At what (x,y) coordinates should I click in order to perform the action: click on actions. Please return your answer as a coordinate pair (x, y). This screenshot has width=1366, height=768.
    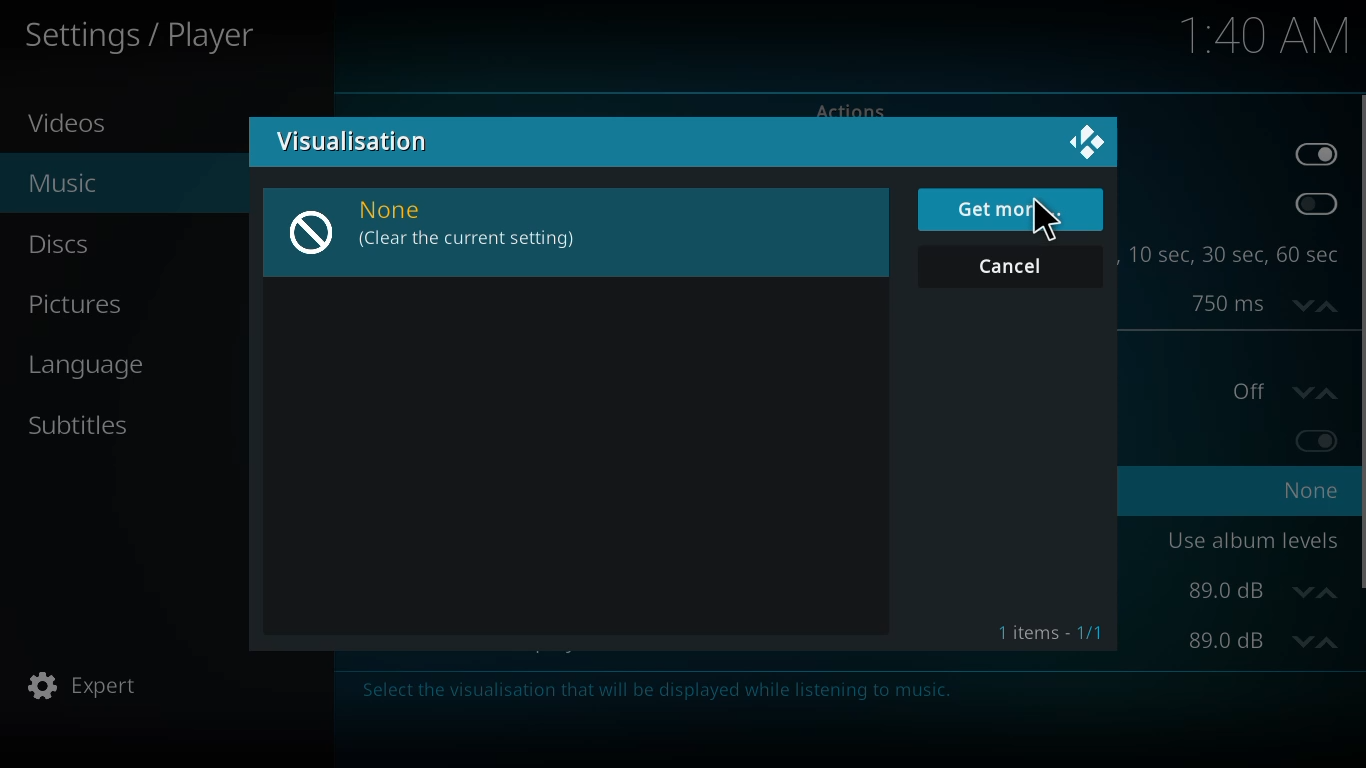
    Looking at the image, I should click on (848, 108).